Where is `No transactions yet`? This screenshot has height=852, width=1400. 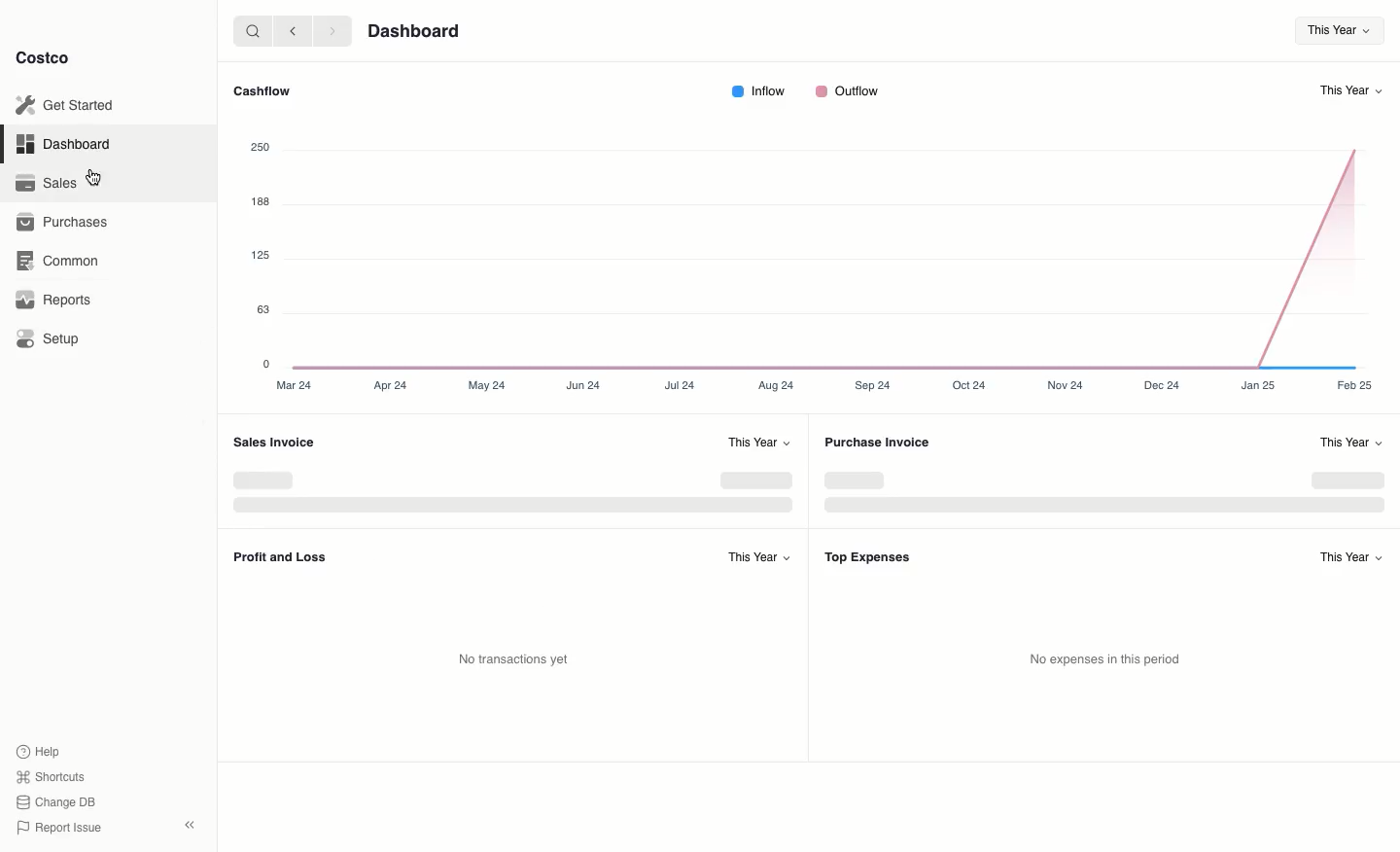 No transactions yet is located at coordinates (513, 659).